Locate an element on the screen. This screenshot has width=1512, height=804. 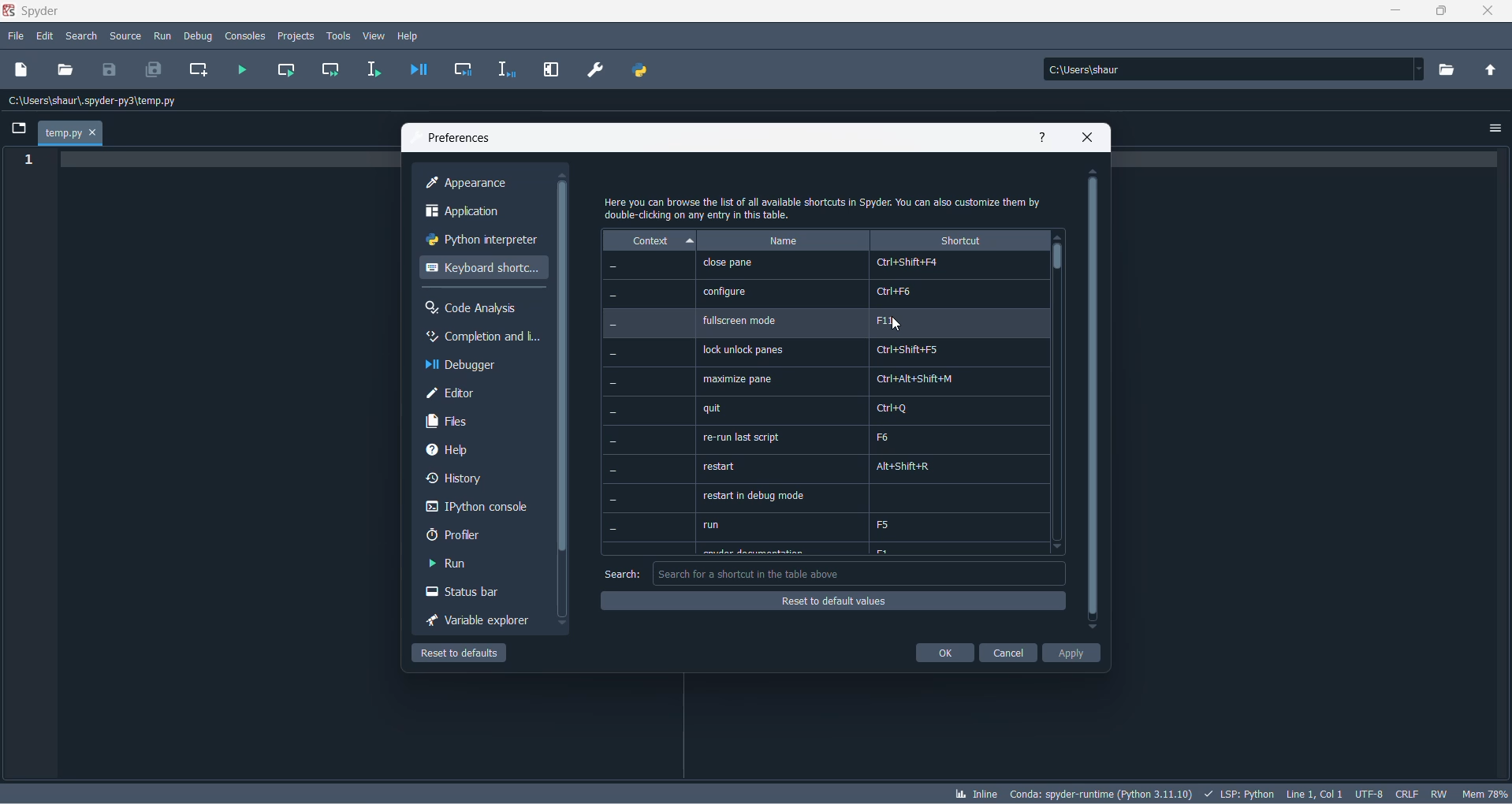
search is located at coordinates (86, 37).